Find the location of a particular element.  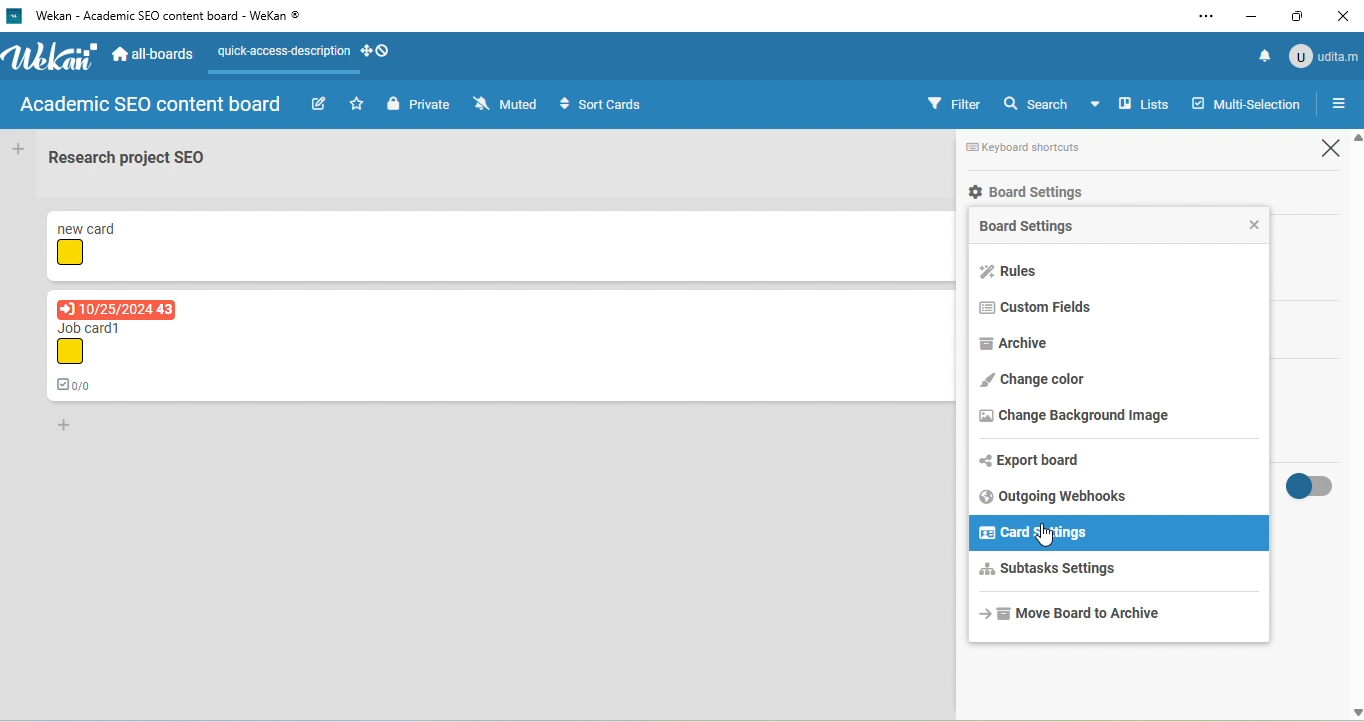

academic seo content board is located at coordinates (153, 107).